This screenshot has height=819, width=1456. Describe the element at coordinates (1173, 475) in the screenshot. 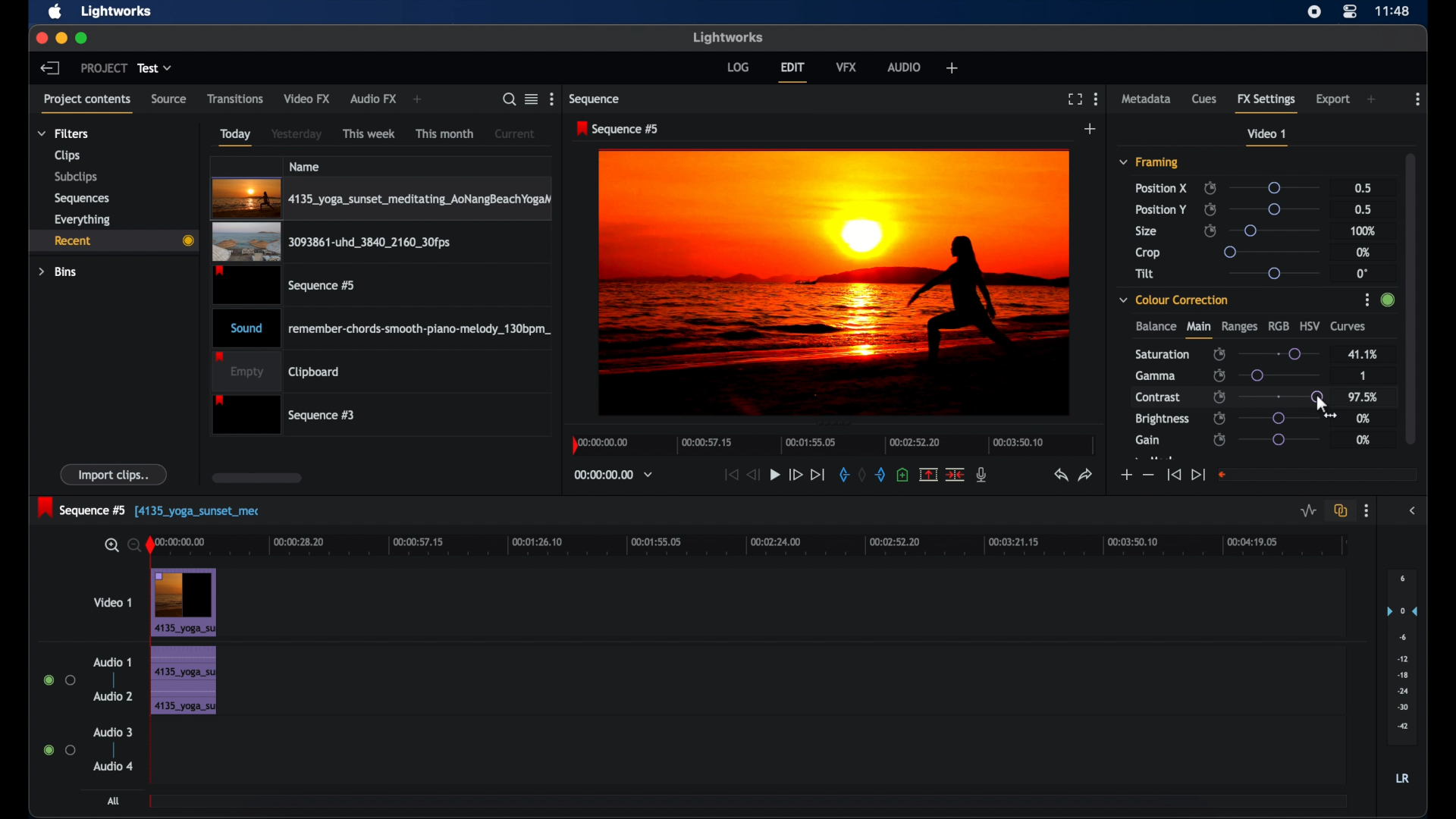

I see `jump to start` at that location.